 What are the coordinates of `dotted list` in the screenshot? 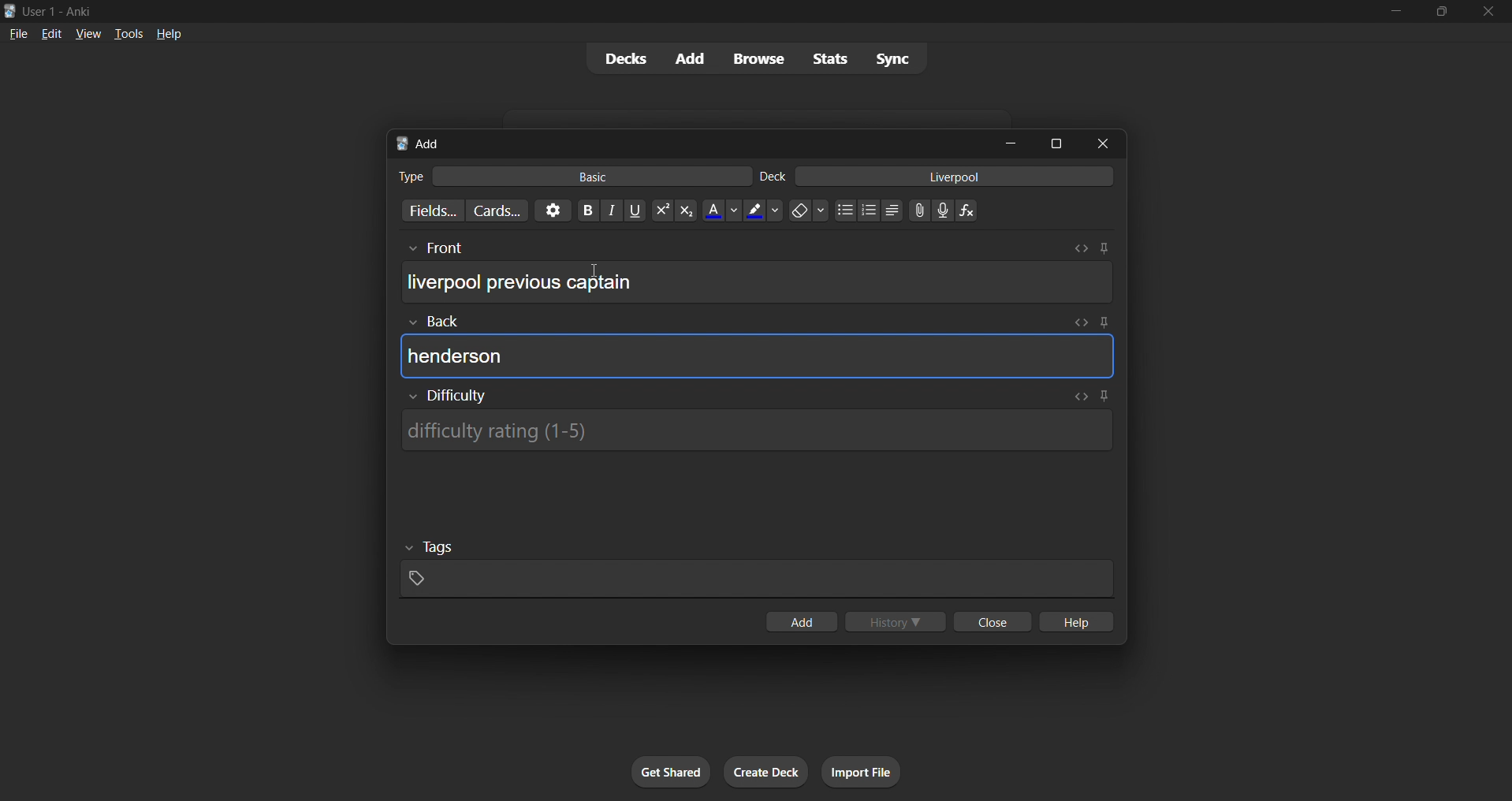 It's located at (844, 212).